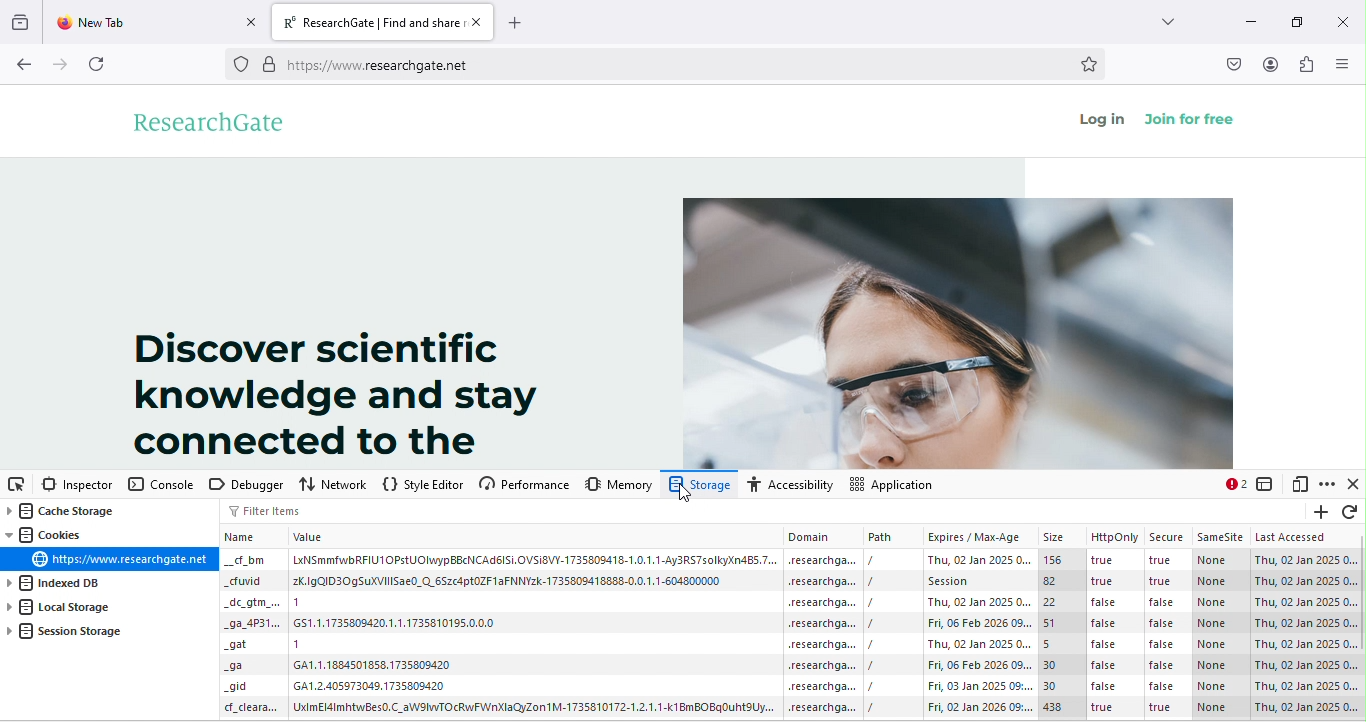 The width and height of the screenshot is (1366, 722). What do you see at coordinates (1161, 559) in the screenshot?
I see `true` at bounding box center [1161, 559].